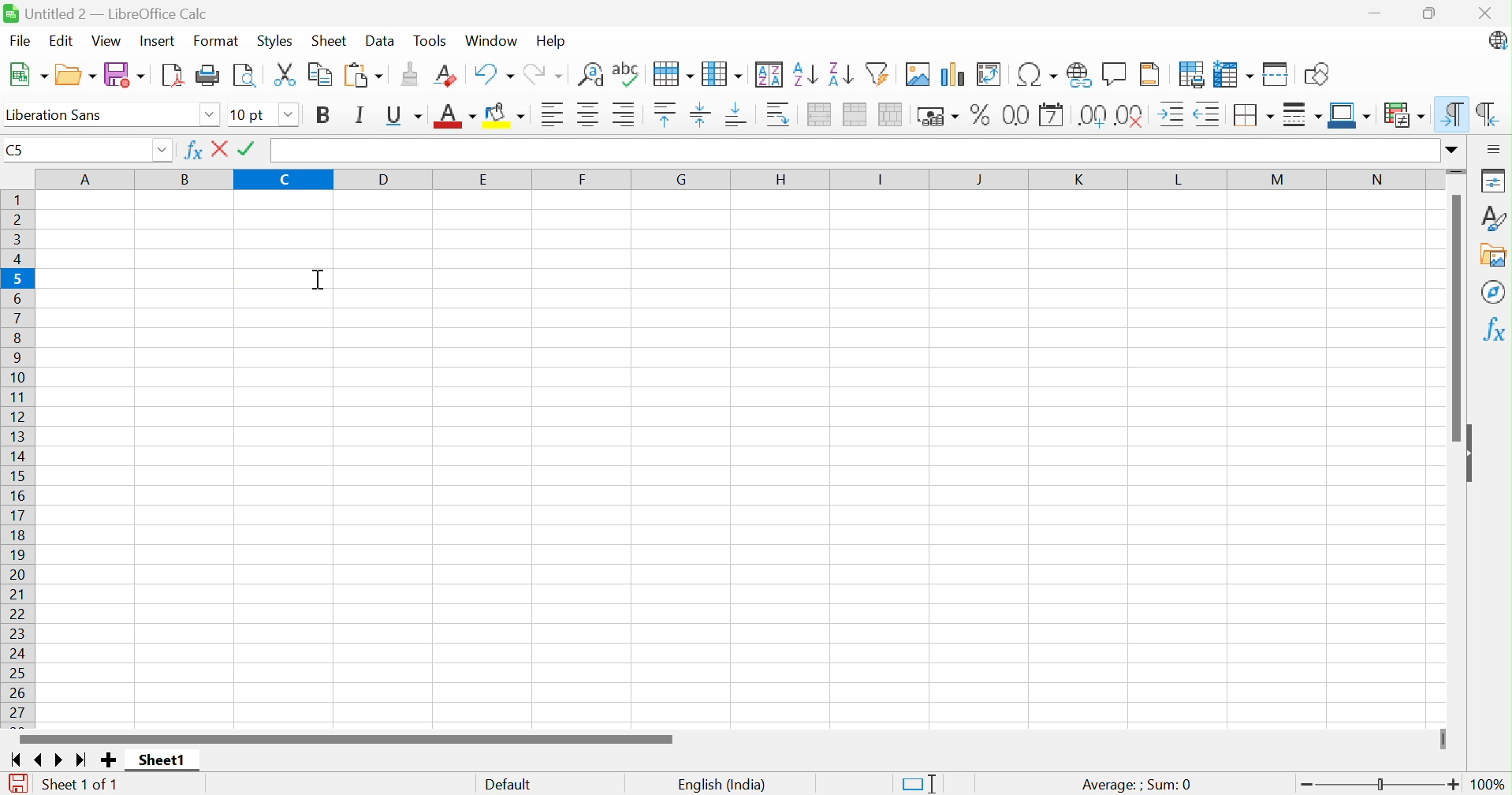 The height and width of the screenshot is (795, 1512). What do you see at coordinates (157, 40) in the screenshot?
I see `Insert` at bounding box center [157, 40].